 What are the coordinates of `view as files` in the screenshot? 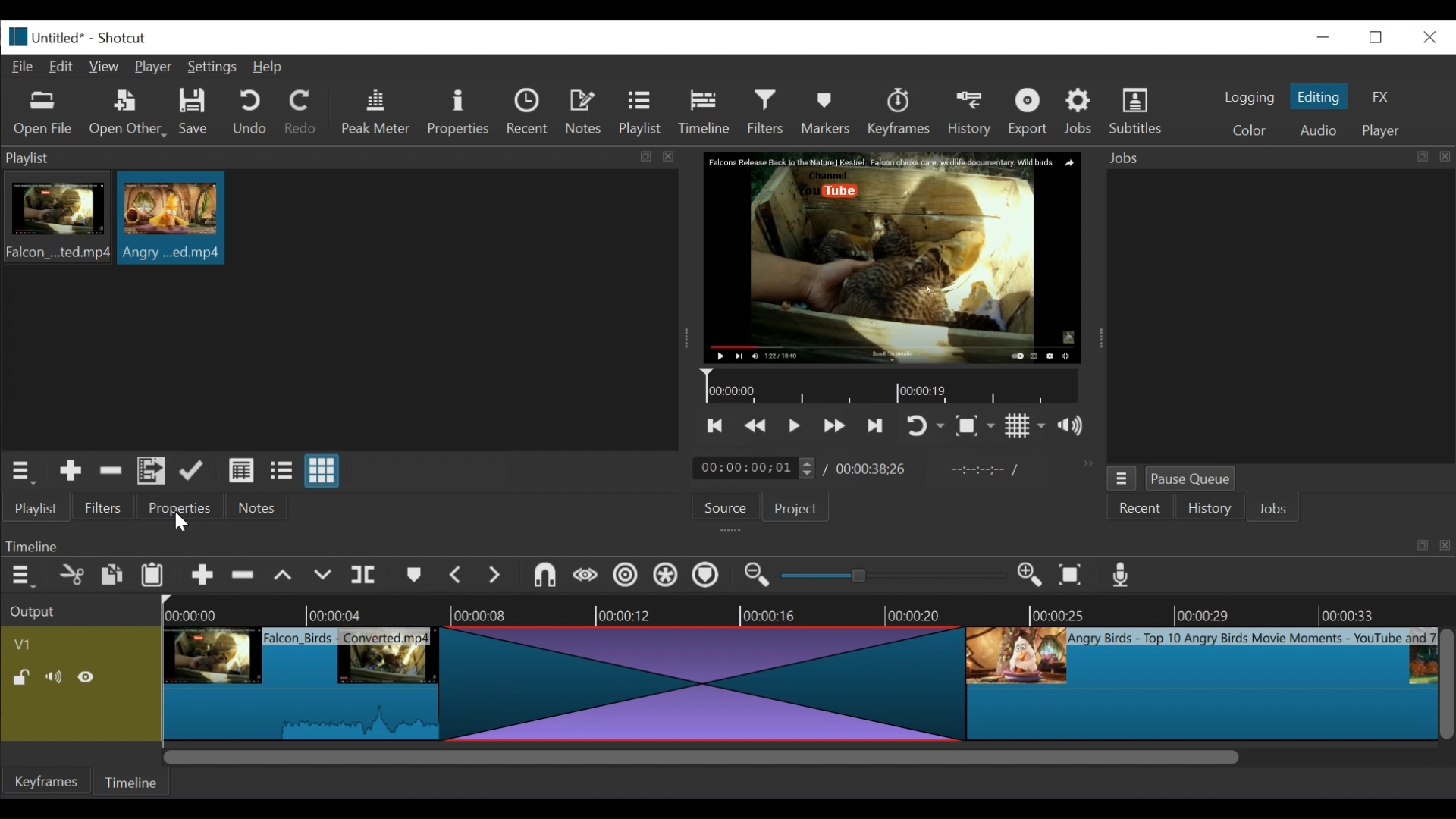 It's located at (283, 470).